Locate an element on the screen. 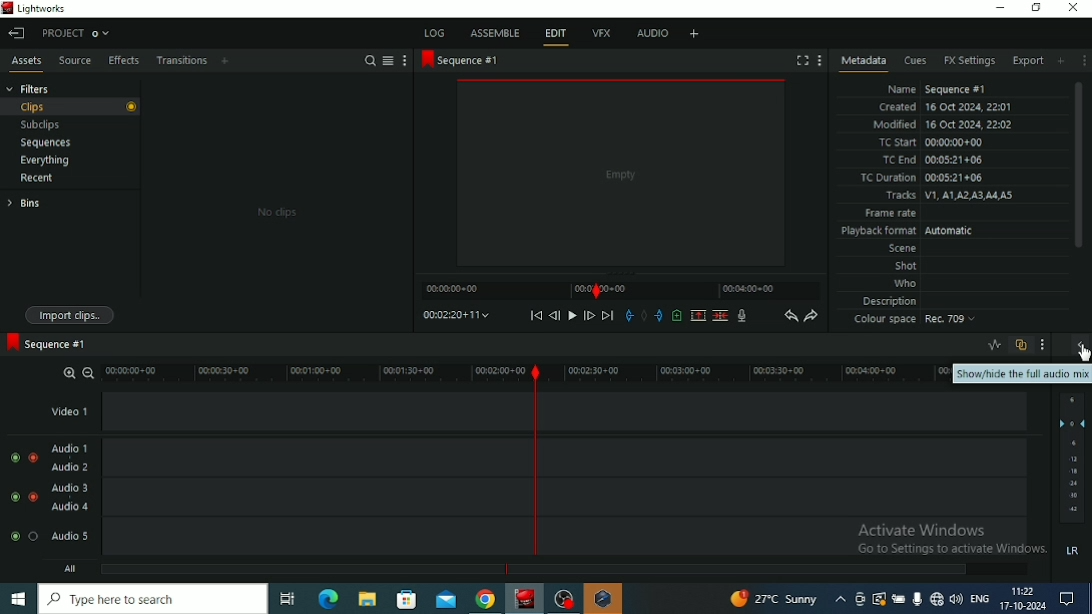  Mic is located at coordinates (917, 599).